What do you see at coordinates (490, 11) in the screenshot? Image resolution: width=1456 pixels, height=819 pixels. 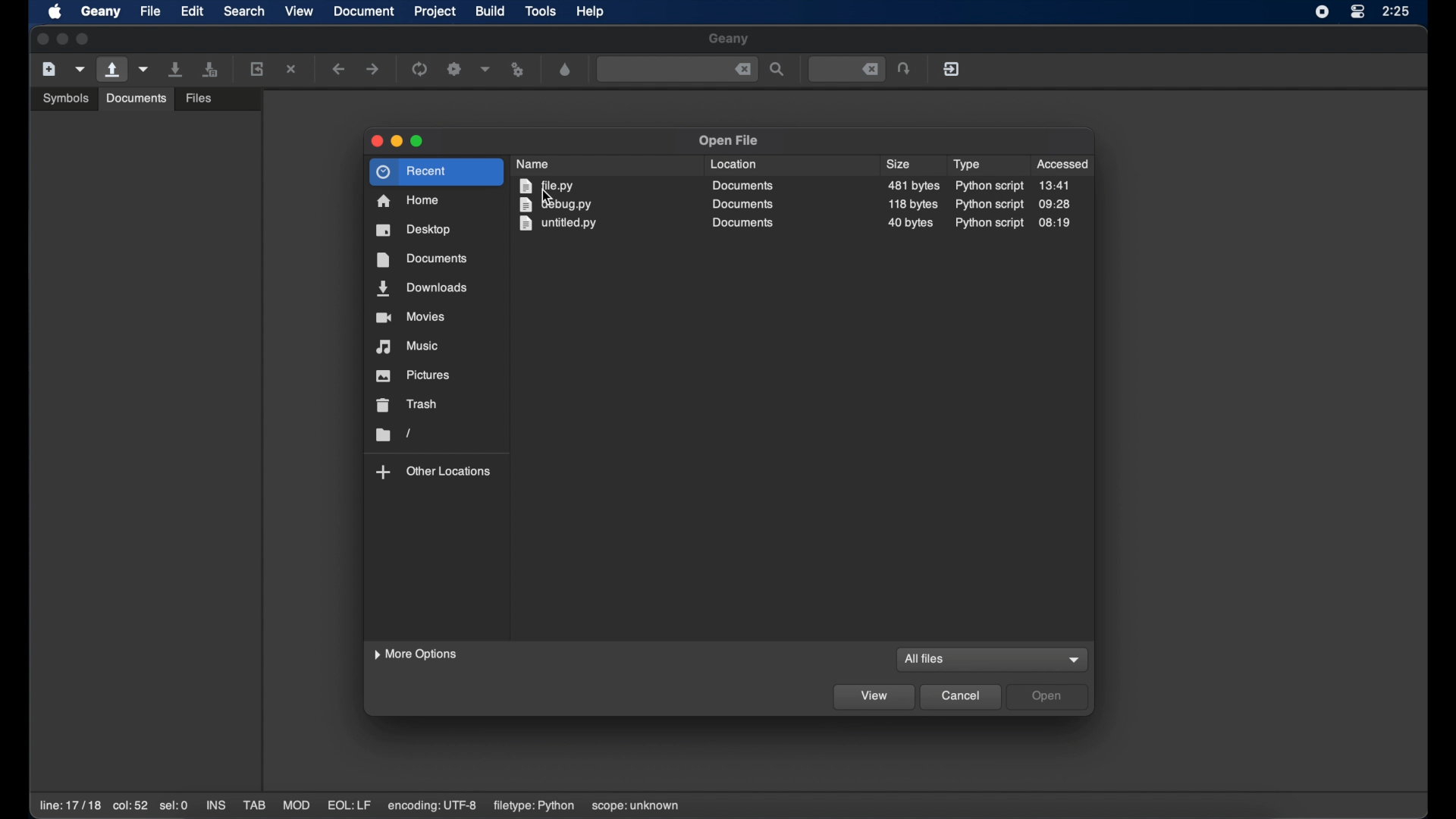 I see `build` at bounding box center [490, 11].